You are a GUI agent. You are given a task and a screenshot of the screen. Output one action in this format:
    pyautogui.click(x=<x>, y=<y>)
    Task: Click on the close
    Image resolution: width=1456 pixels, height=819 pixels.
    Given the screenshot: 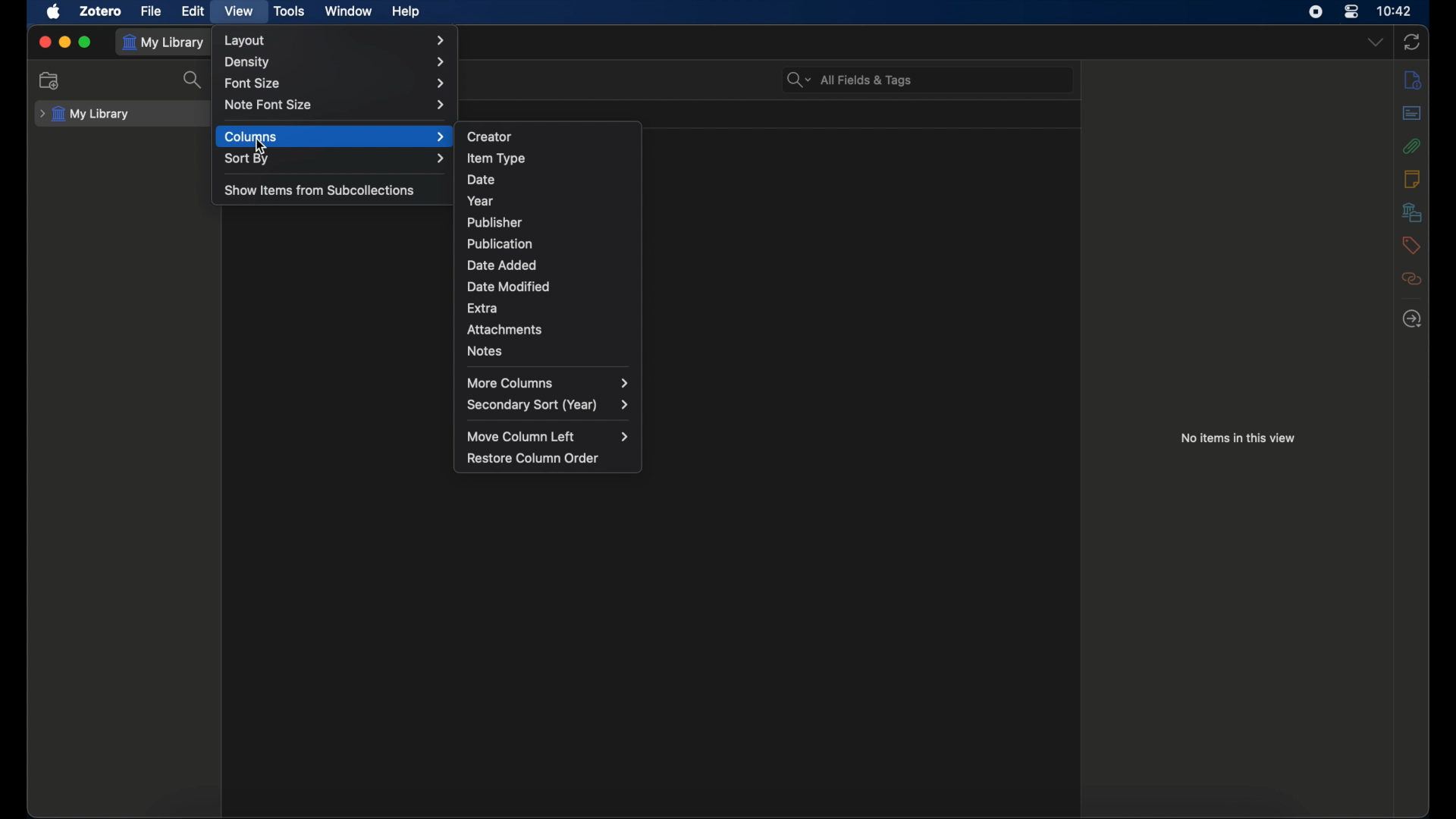 What is the action you would take?
    pyautogui.click(x=44, y=42)
    